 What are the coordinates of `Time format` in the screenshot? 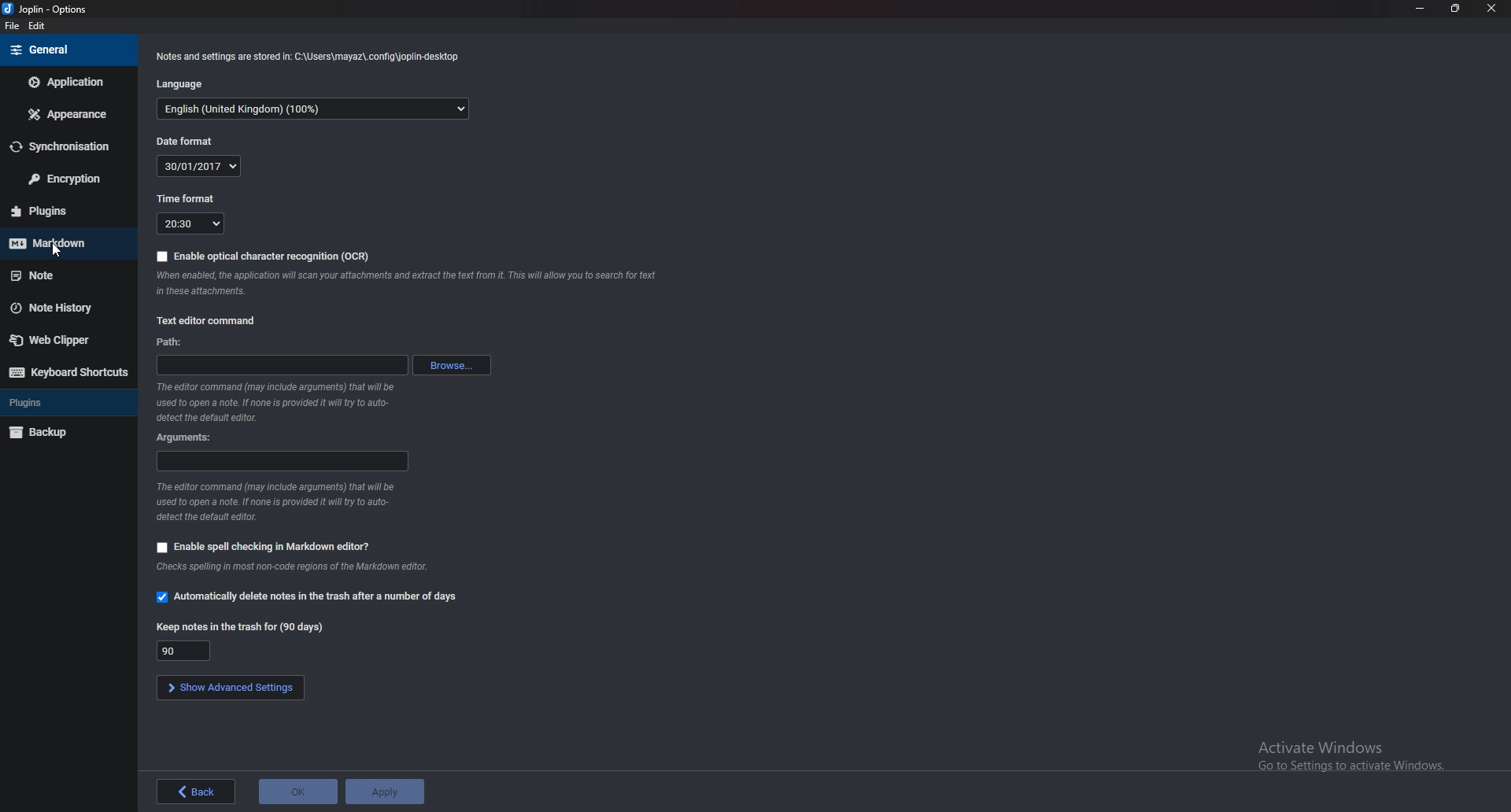 It's located at (187, 199).